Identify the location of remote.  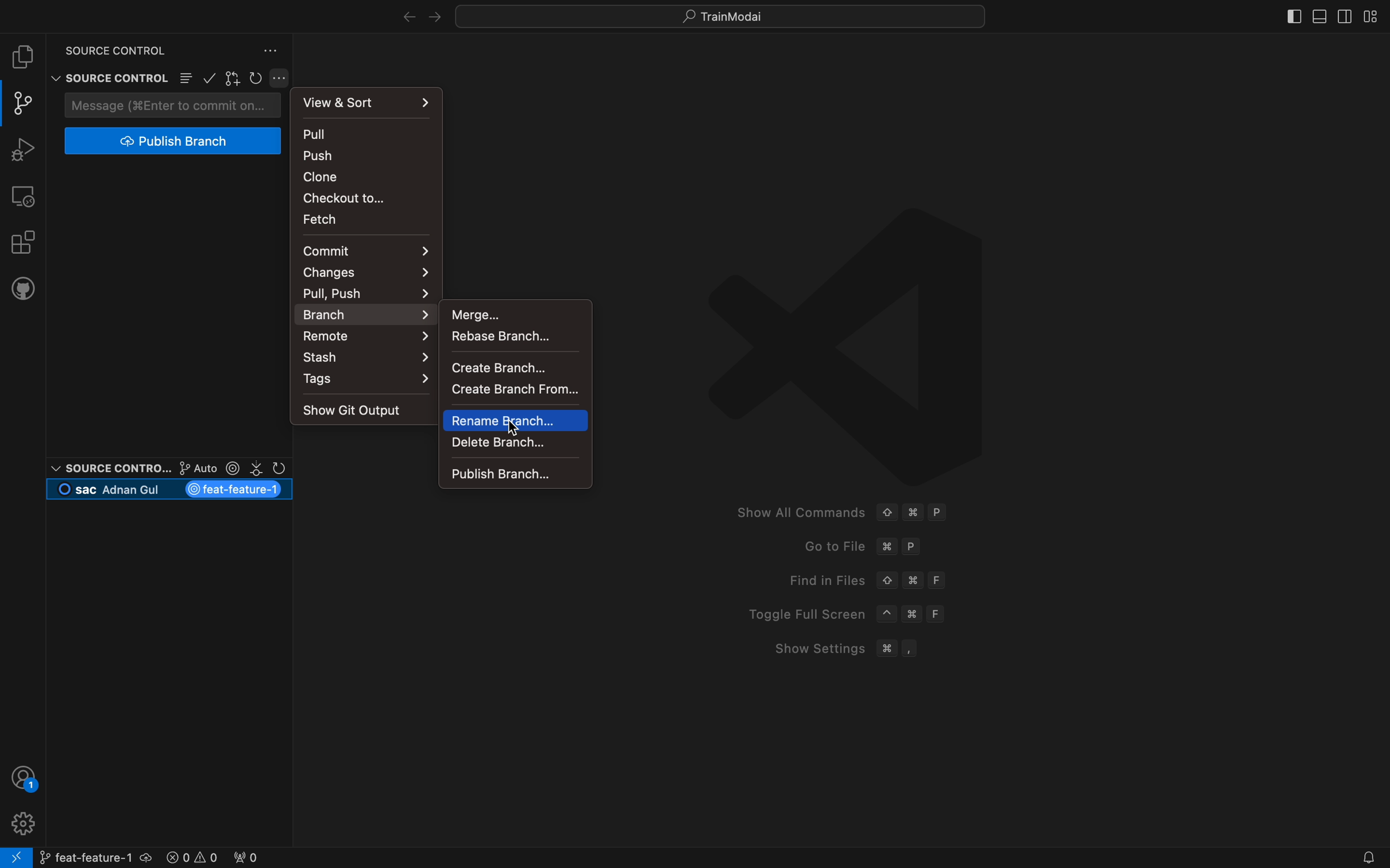
(24, 195).